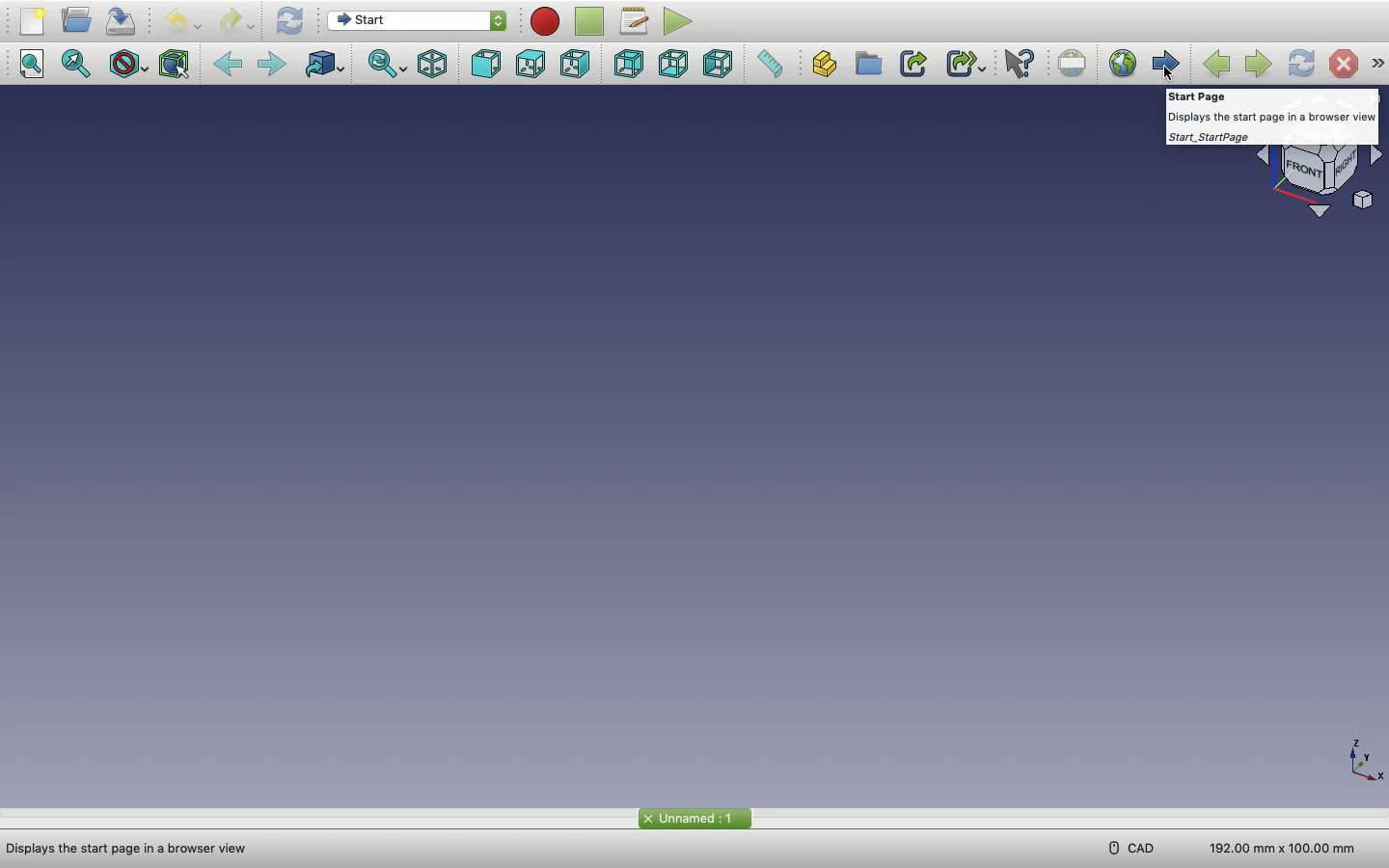 The image size is (1389, 868). I want to click on Refresh page, so click(1301, 64).